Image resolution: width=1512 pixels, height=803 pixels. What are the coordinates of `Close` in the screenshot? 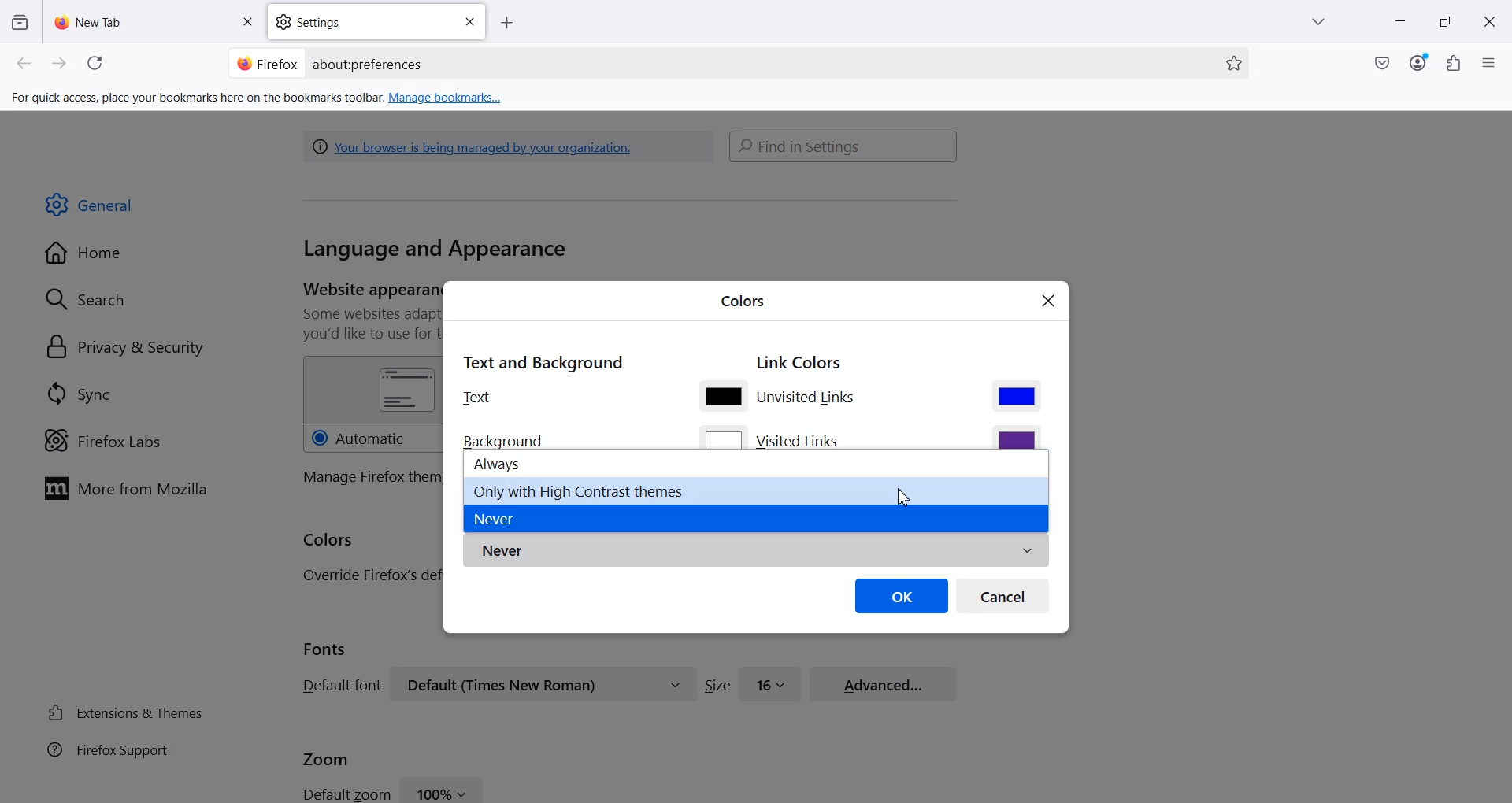 It's located at (469, 22).